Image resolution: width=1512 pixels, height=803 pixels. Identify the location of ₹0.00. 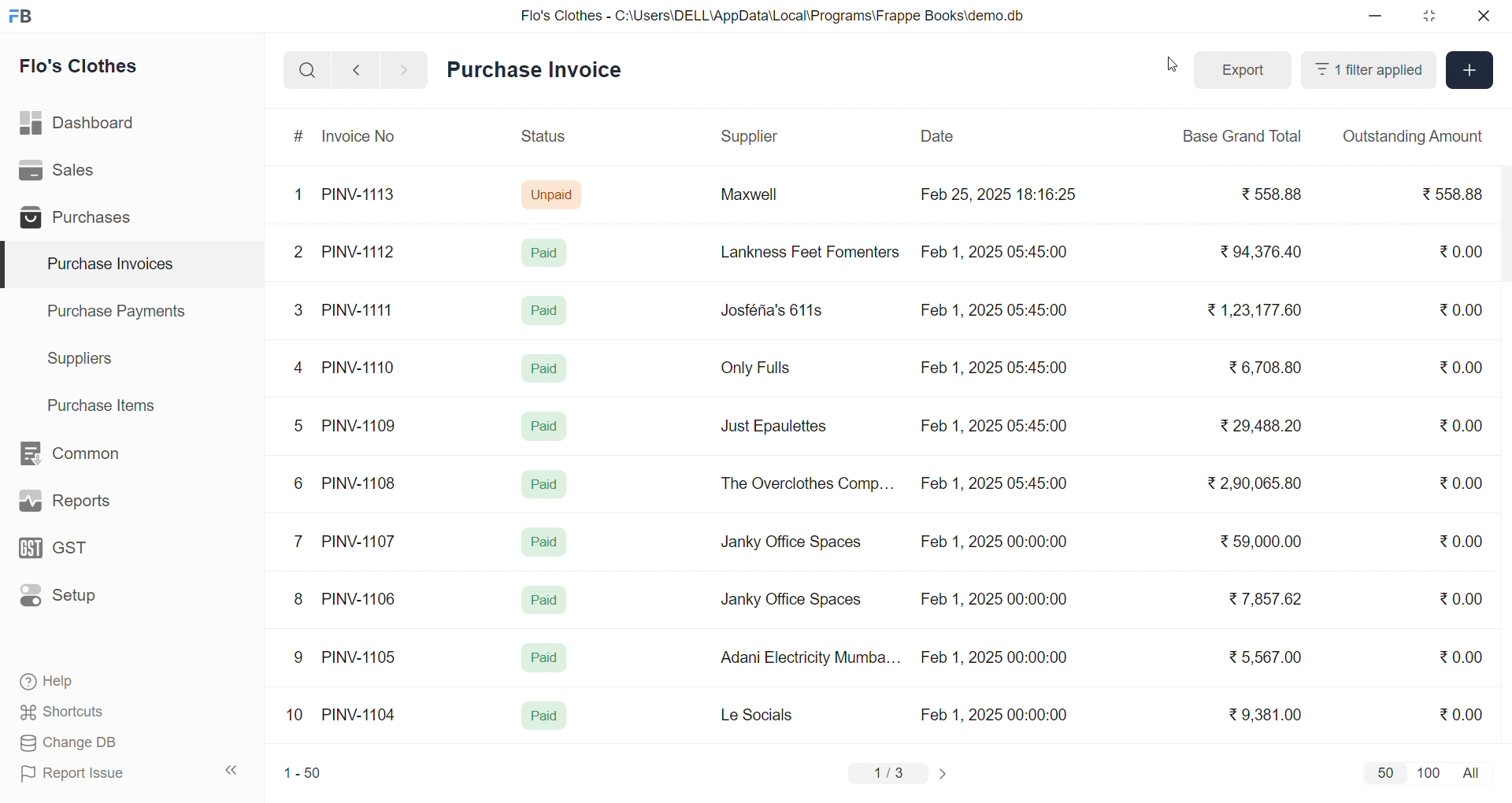
(1458, 253).